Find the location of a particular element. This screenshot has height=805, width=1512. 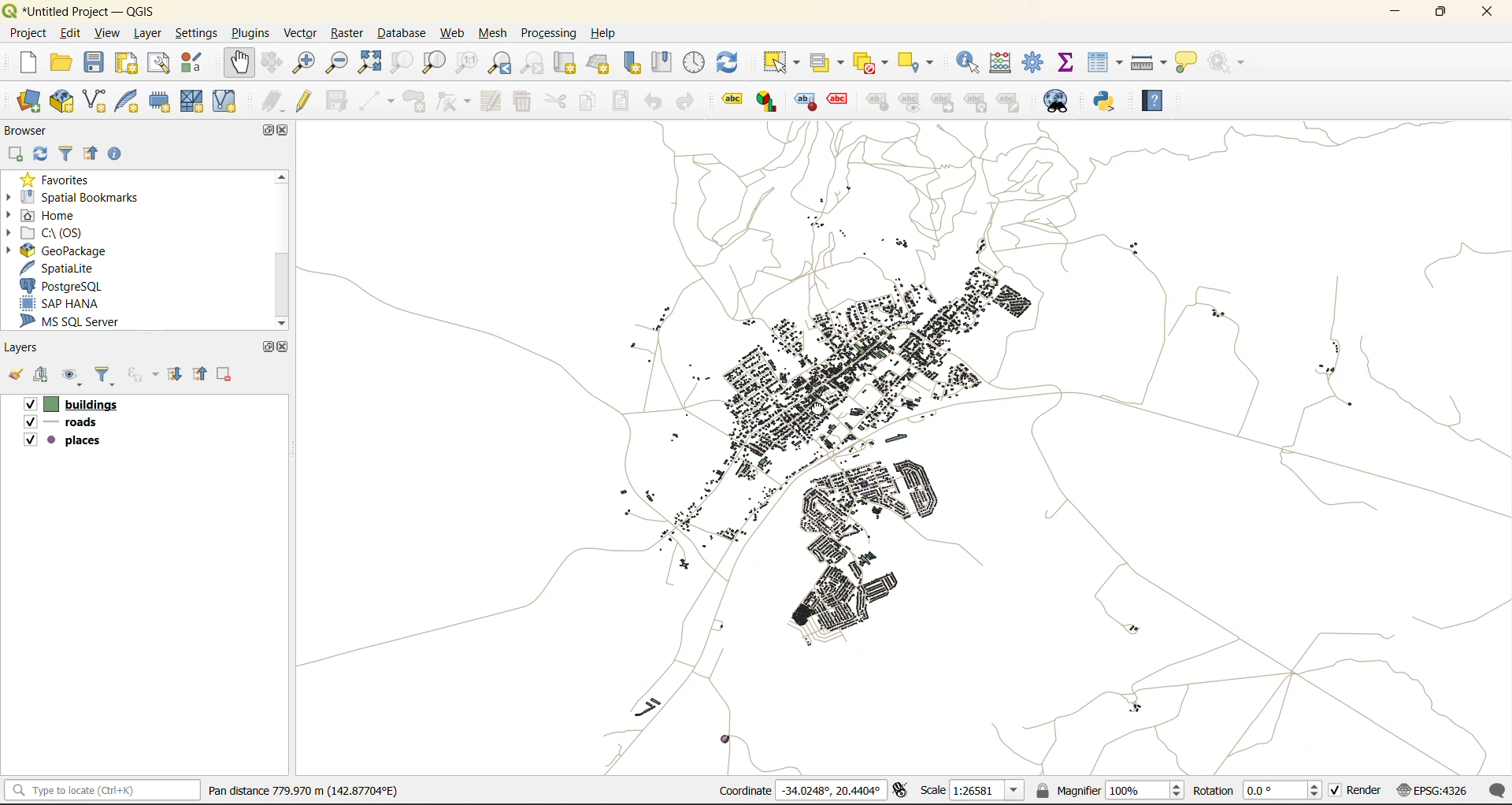

style manager is located at coordinates (198, 61).